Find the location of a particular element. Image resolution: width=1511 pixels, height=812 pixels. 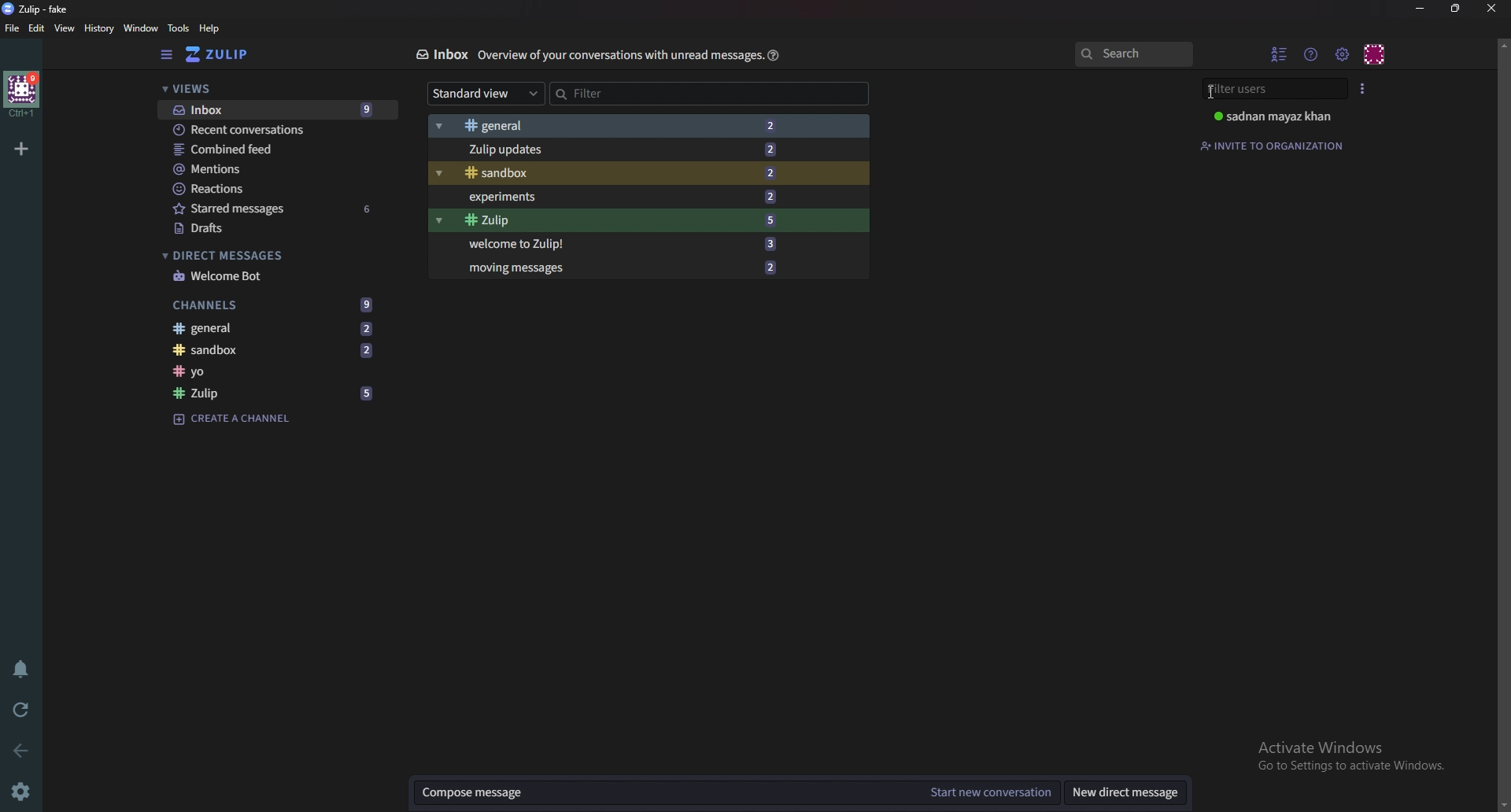

Sandbox is located at coordinates (622, 172).